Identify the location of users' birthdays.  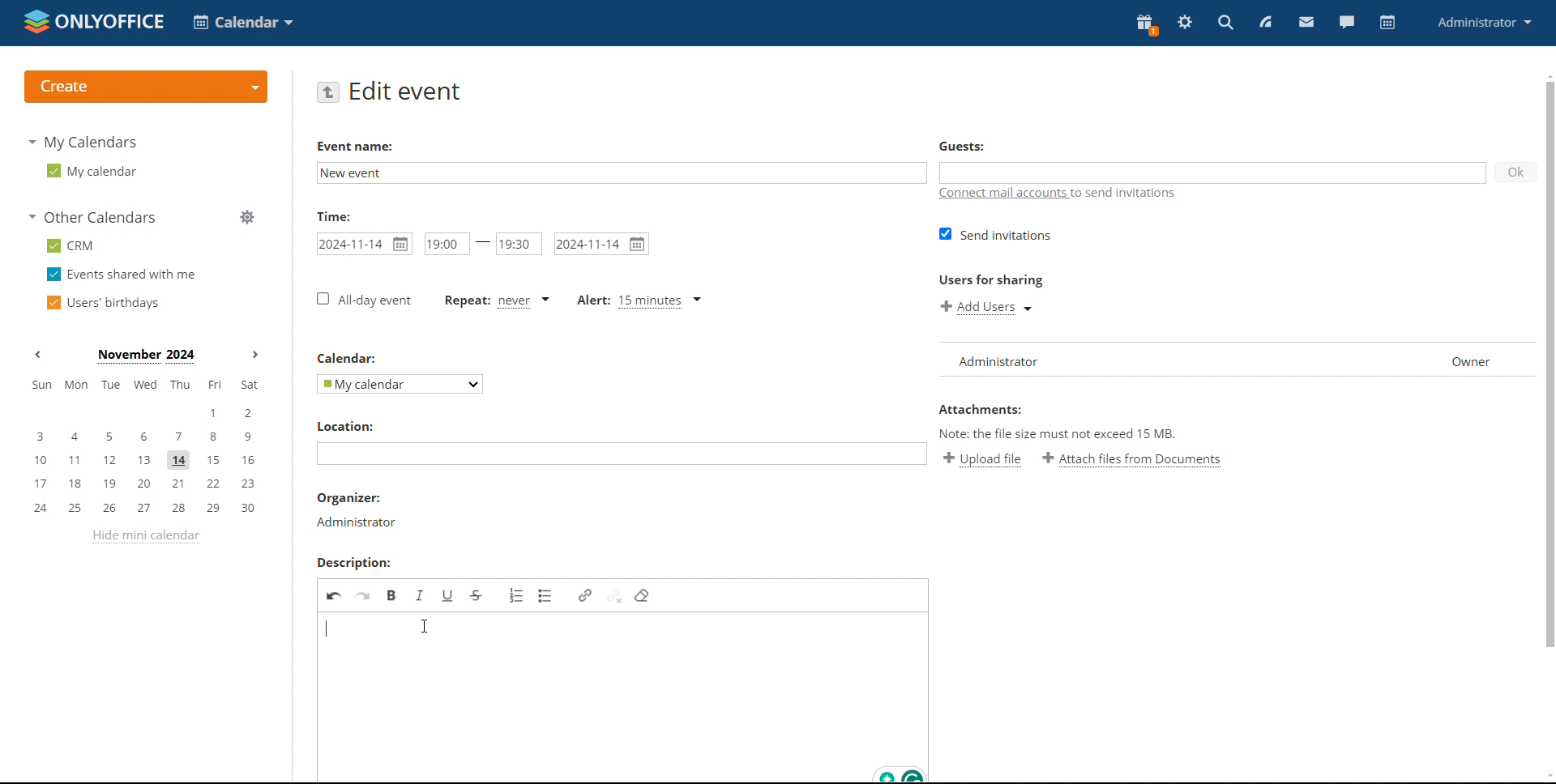
(100, 303).